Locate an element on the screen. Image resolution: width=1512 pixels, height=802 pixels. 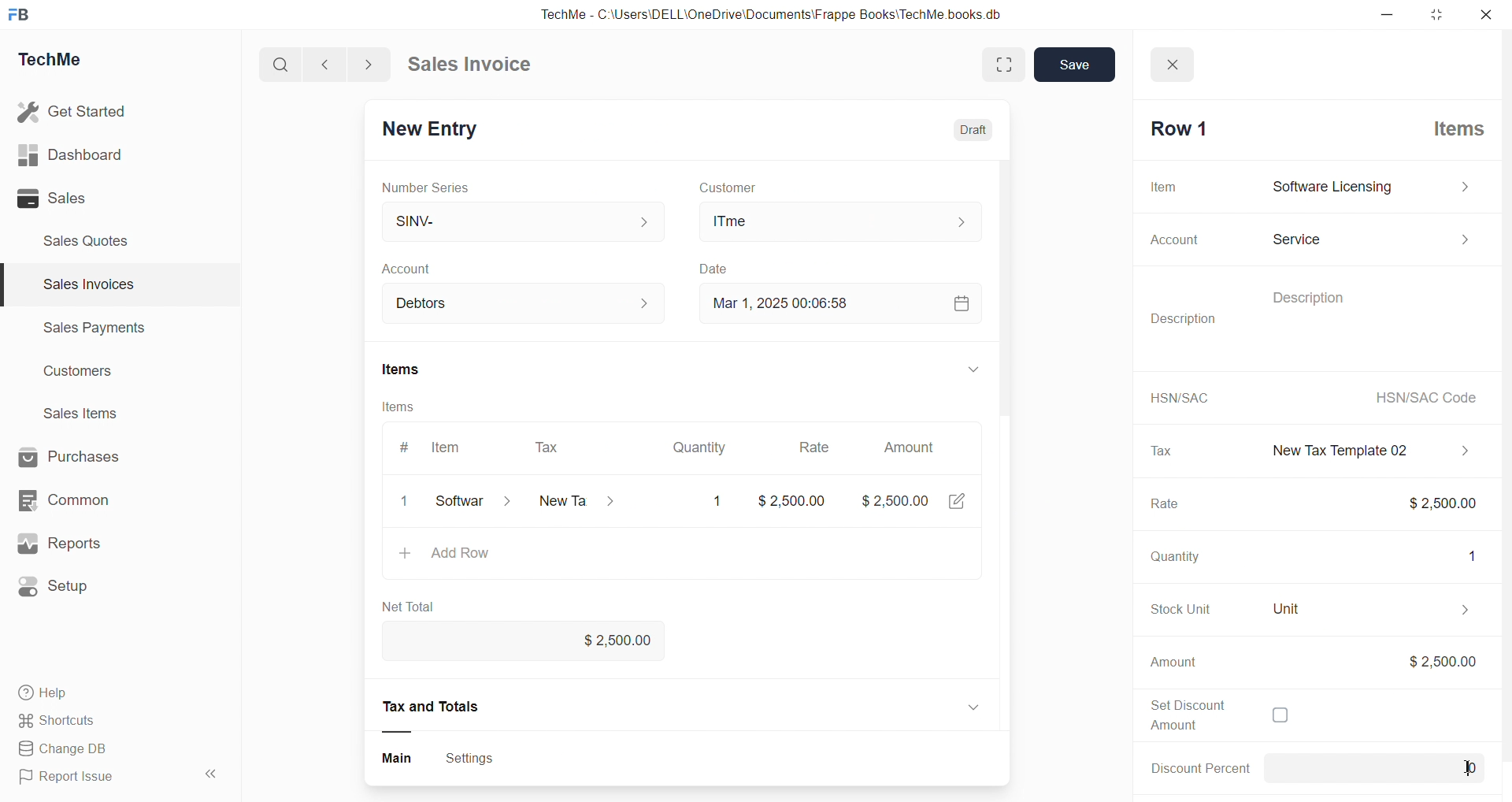
Mar 1, 2025 00:06:58 is located at coordinates (774, 303).